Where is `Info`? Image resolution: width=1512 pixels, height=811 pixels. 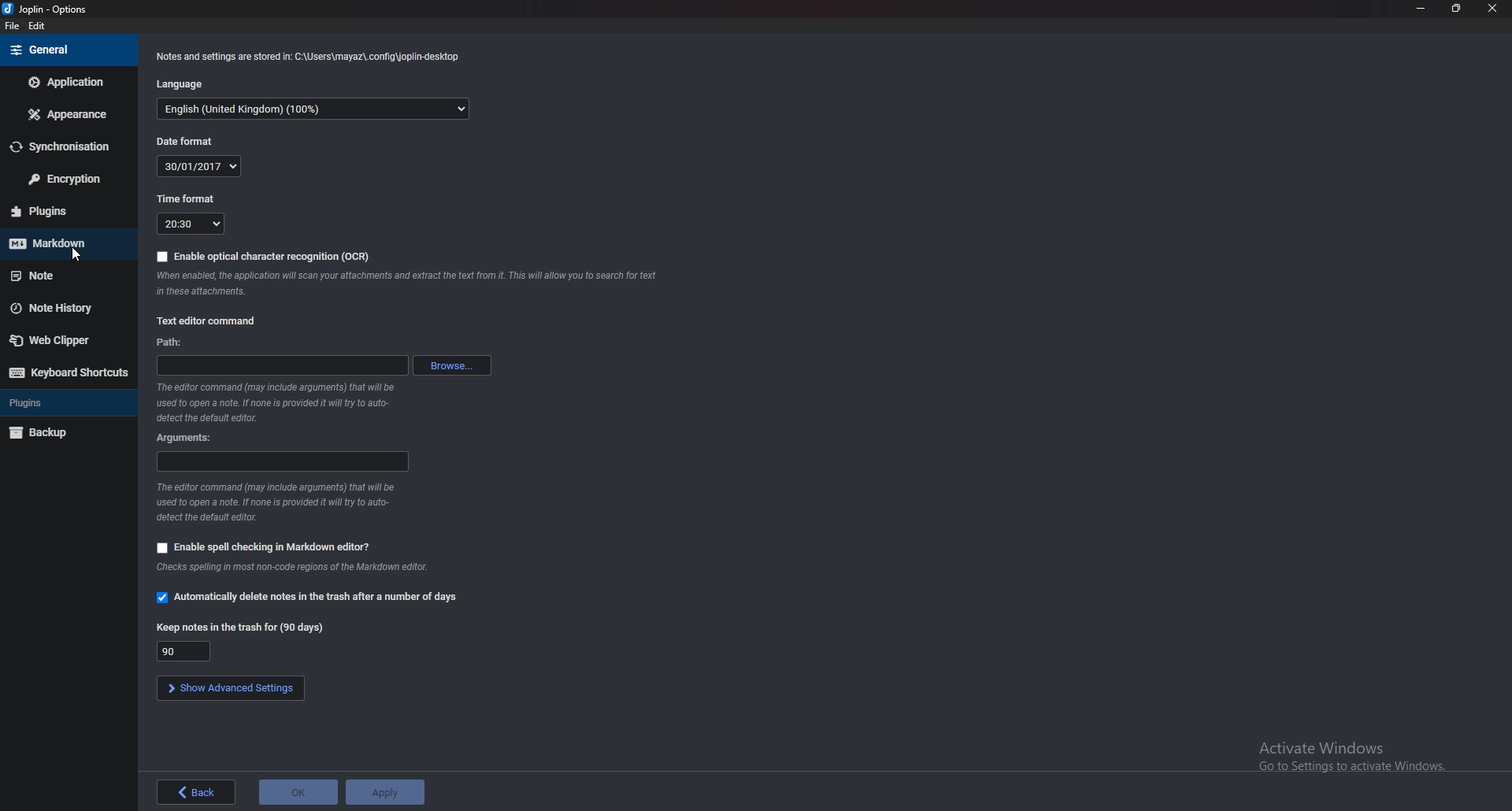
Info is located at coordinates (302, 568).